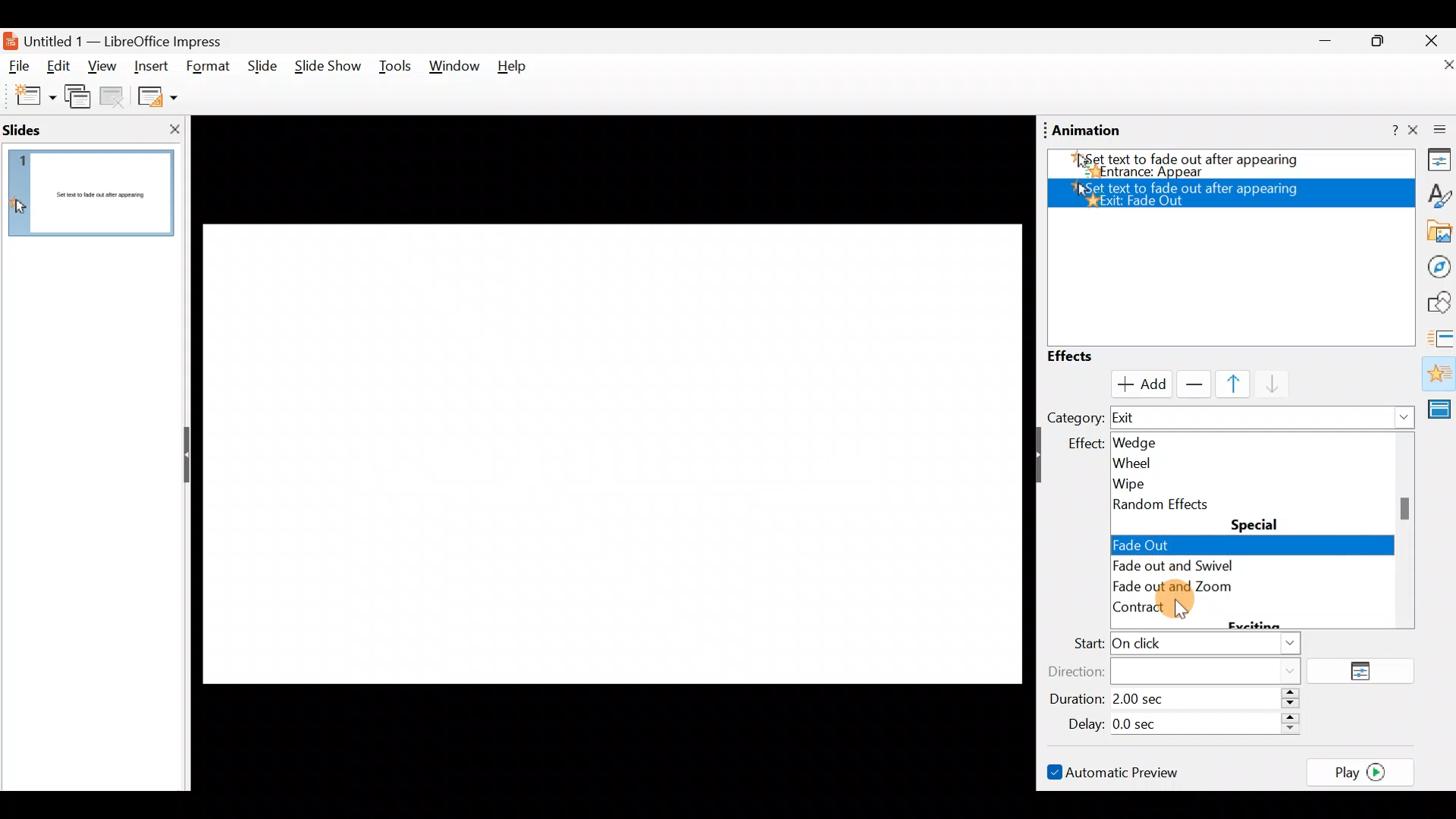 The width and height of the screenshot is (1456, 819). I want to click on Help, so click(1384, 131).